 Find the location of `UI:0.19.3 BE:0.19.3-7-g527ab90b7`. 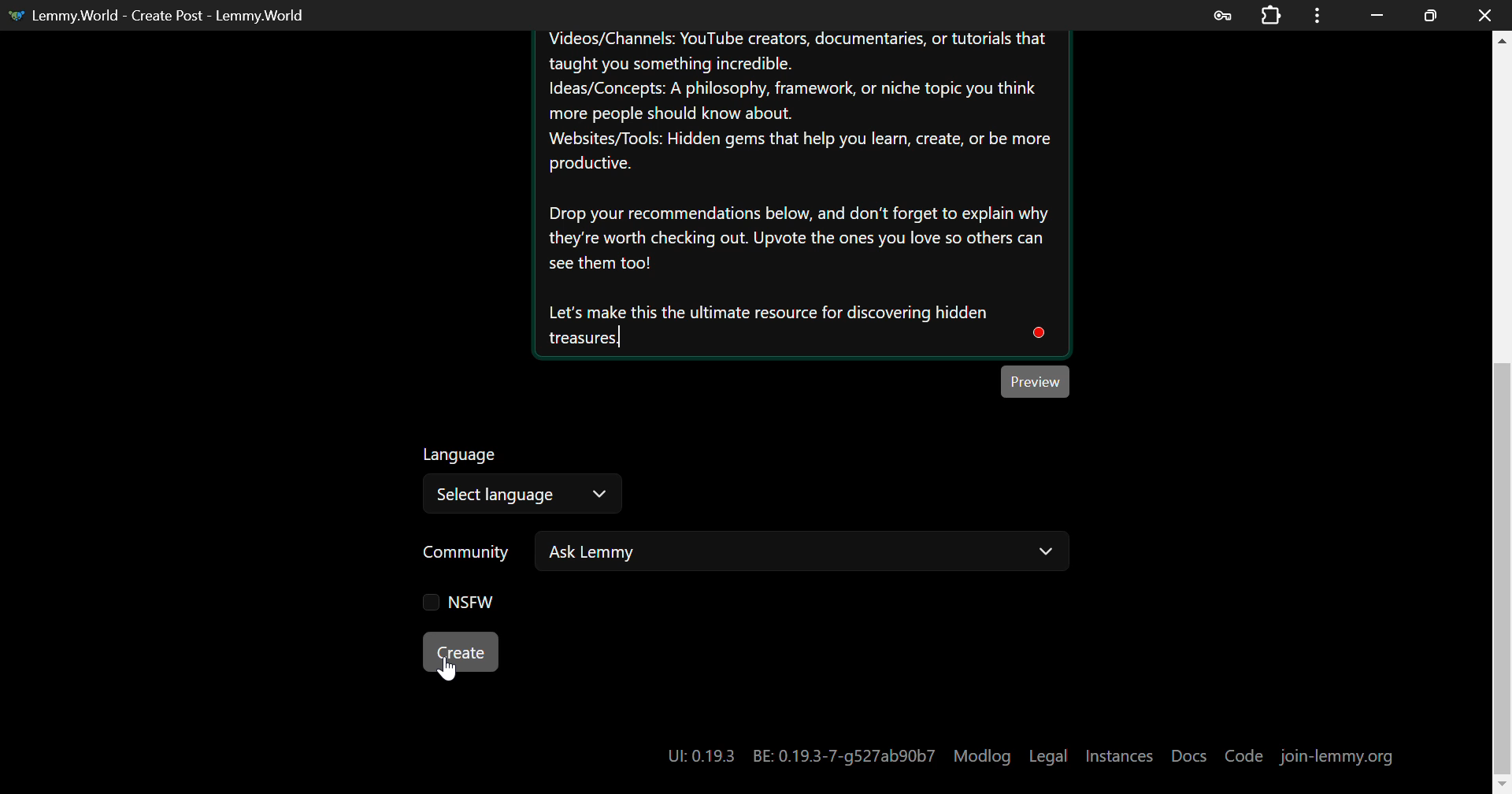

UI:0.19.3 BE:0.19.3-7-g527ab90b7 is located at coordinates (799, 756).